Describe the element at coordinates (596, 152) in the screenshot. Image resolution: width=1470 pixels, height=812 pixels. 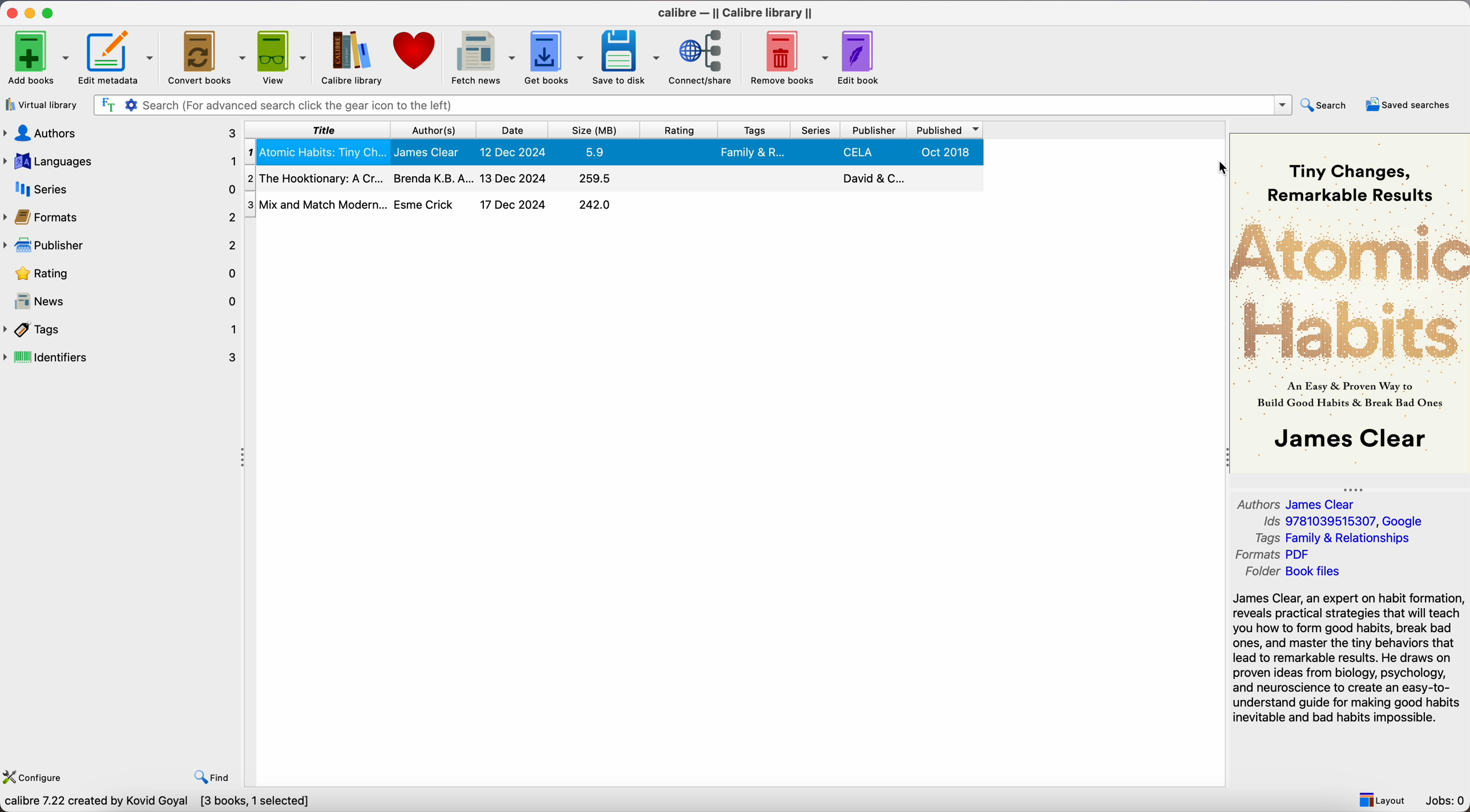
I see `5.9` at that location.